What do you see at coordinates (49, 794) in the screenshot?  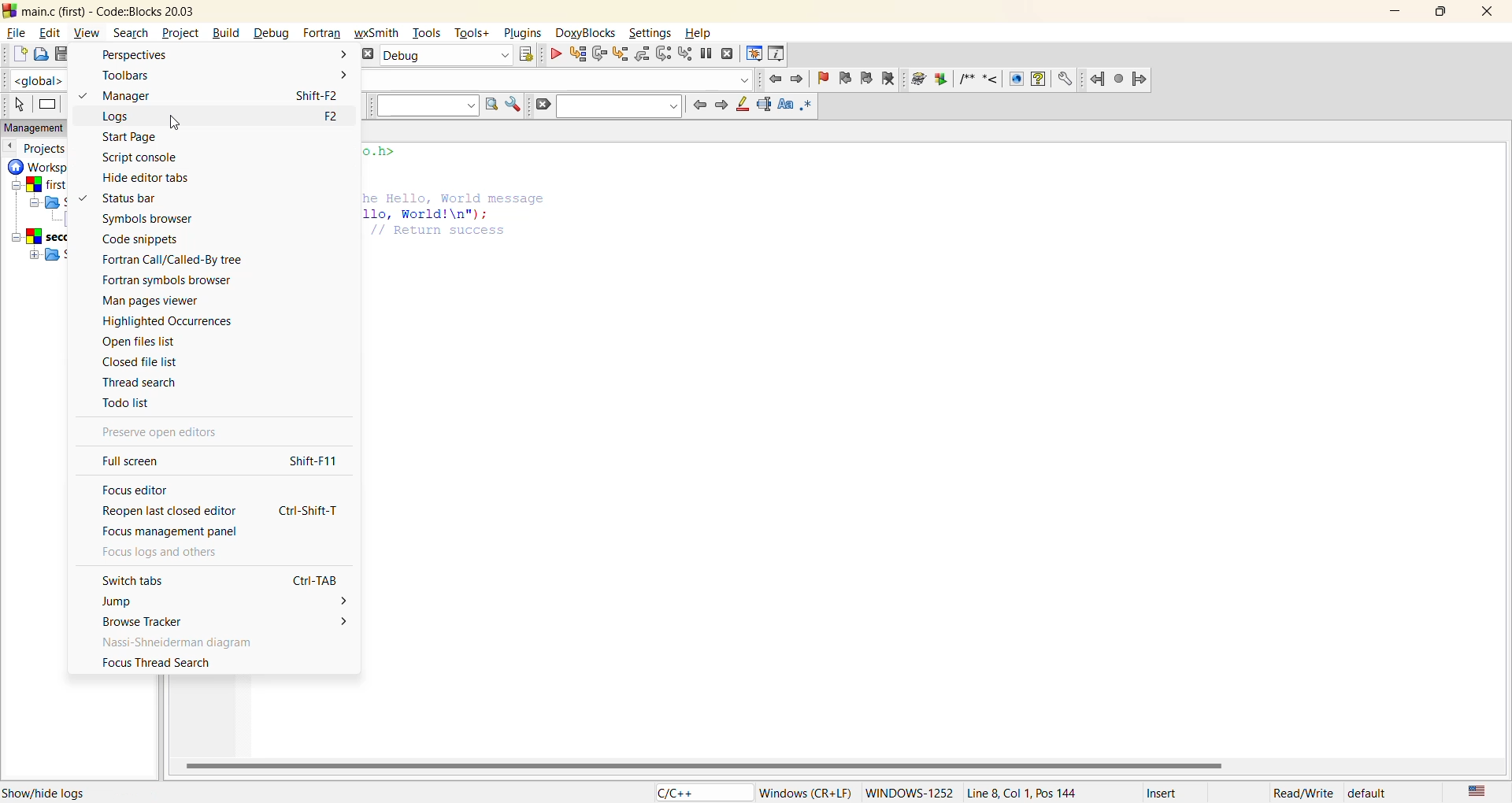 I see `Show/hide logs` at bounding box center [49, 794].